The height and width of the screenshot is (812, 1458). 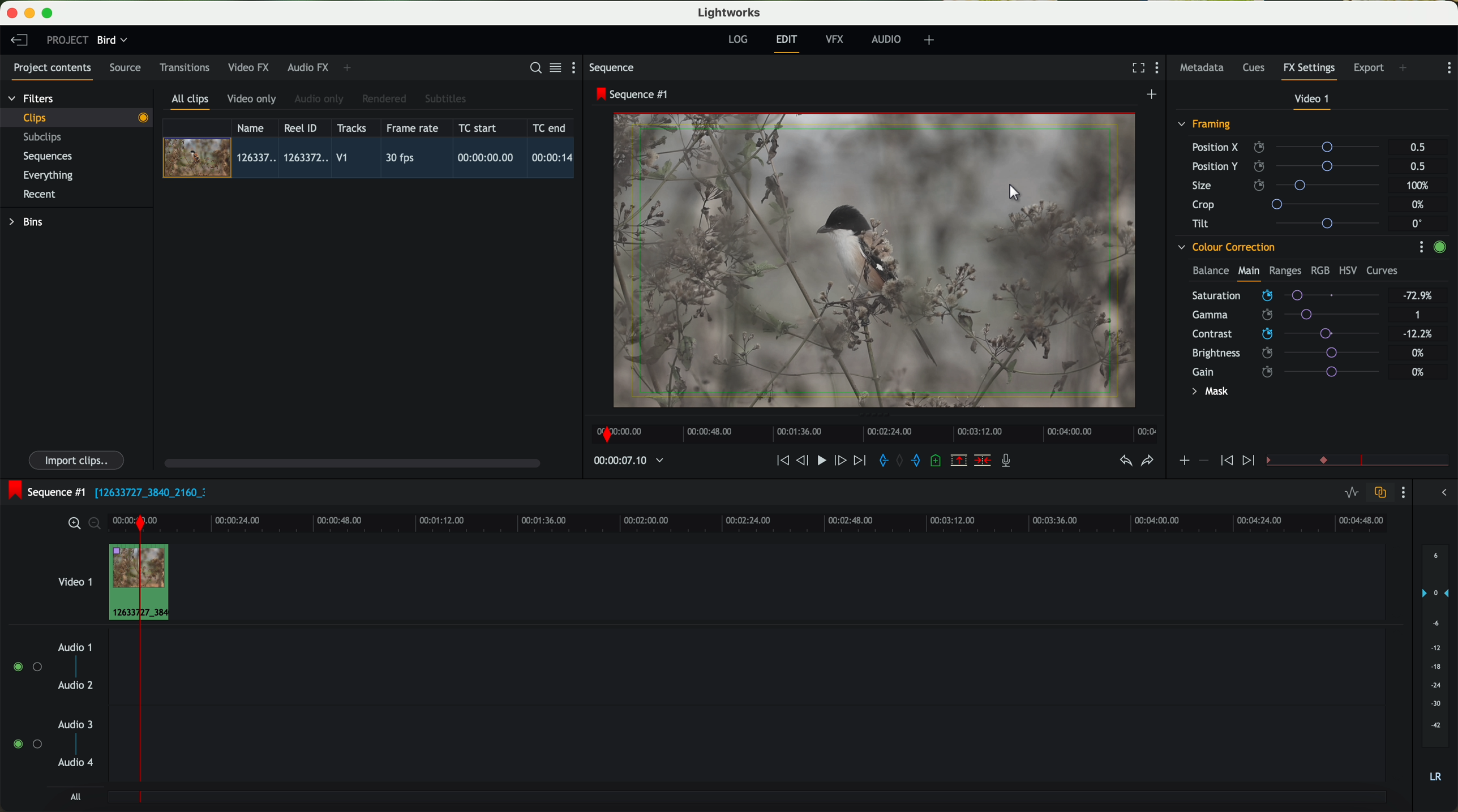 I want to click on metadata, so click(x=1204, y=68).